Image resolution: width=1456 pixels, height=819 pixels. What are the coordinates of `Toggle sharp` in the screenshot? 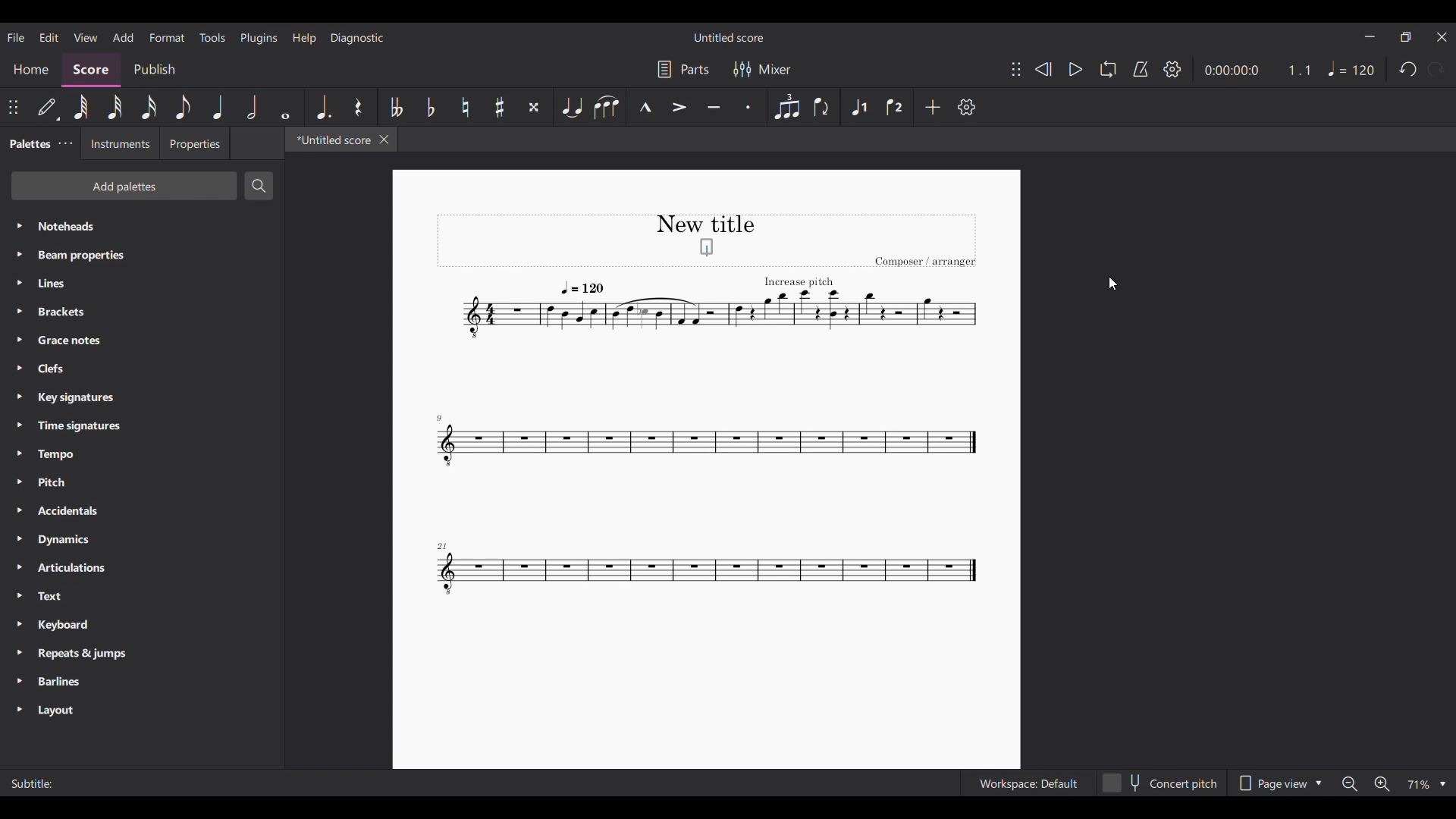 It's located at (500, 108).